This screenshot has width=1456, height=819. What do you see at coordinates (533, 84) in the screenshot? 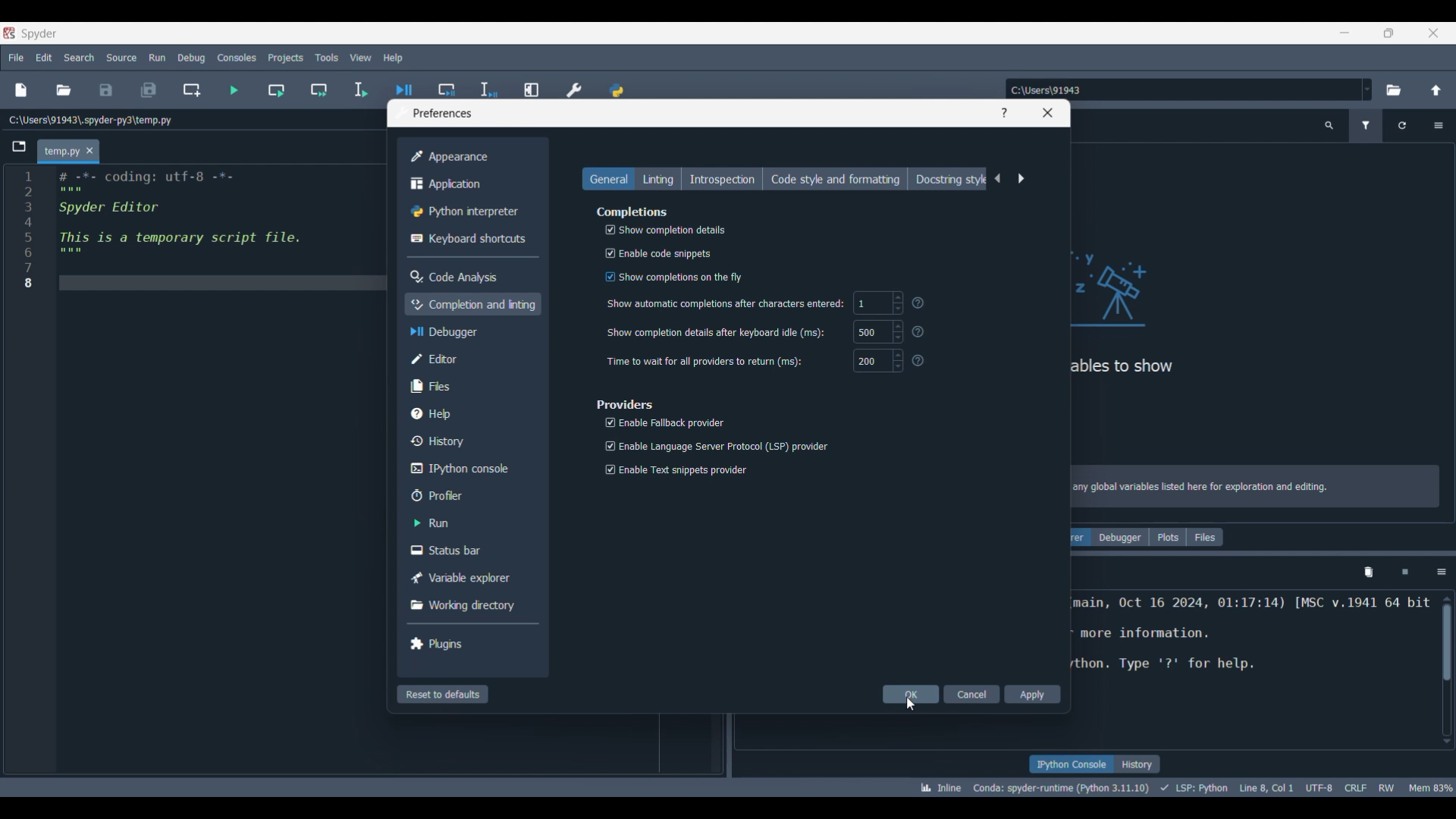
I see `Maximize current line` at bounding box center [533, 84].